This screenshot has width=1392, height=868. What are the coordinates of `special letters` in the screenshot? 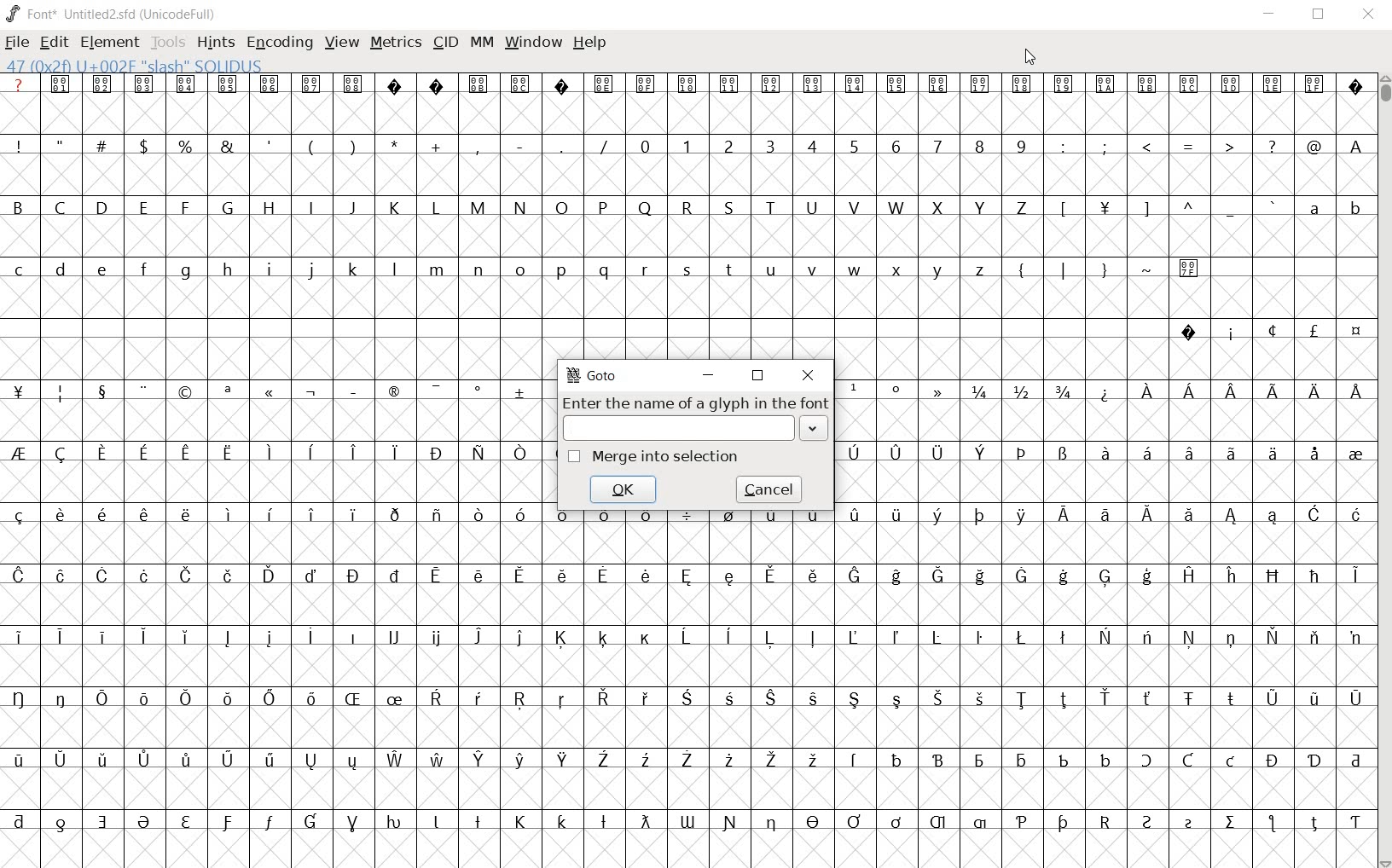 It's located at (686, 697).